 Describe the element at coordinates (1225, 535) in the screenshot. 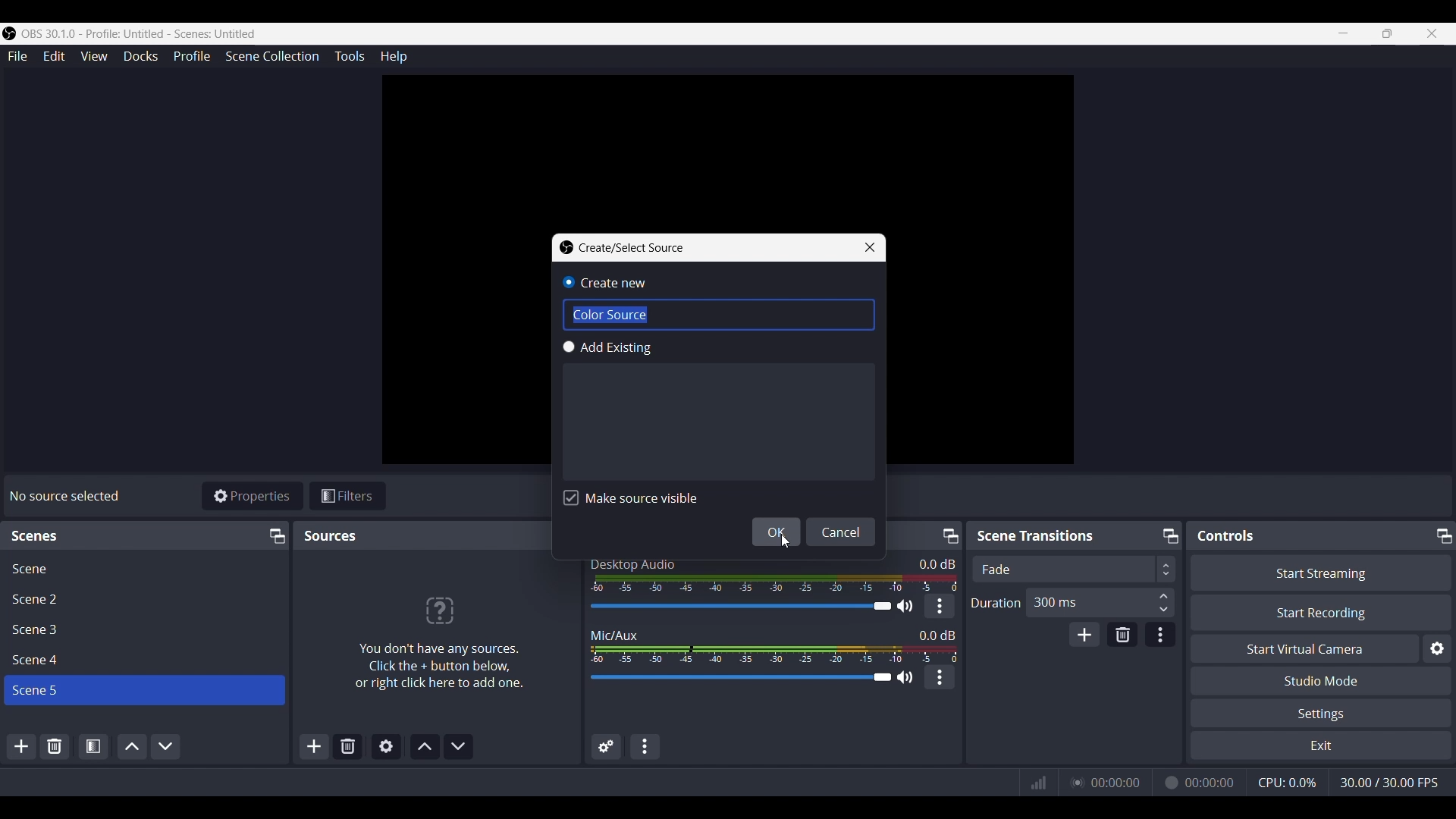

I see `Text` at that location.